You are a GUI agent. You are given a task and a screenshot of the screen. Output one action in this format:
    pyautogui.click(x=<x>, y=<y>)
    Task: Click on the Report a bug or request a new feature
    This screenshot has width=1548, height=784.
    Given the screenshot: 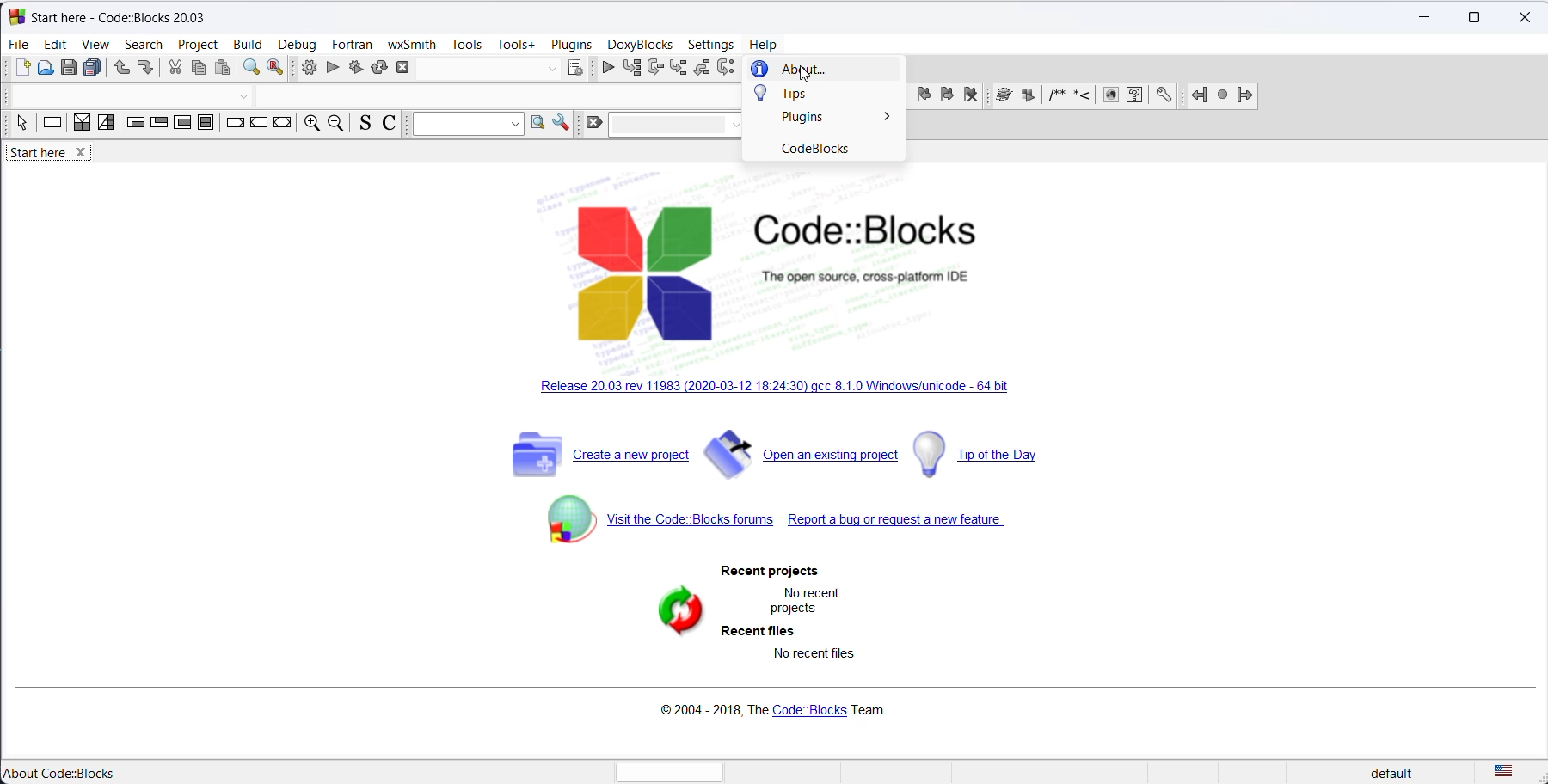 What is the action you would take?
    pyautogui.click(x=901, y=522)
    